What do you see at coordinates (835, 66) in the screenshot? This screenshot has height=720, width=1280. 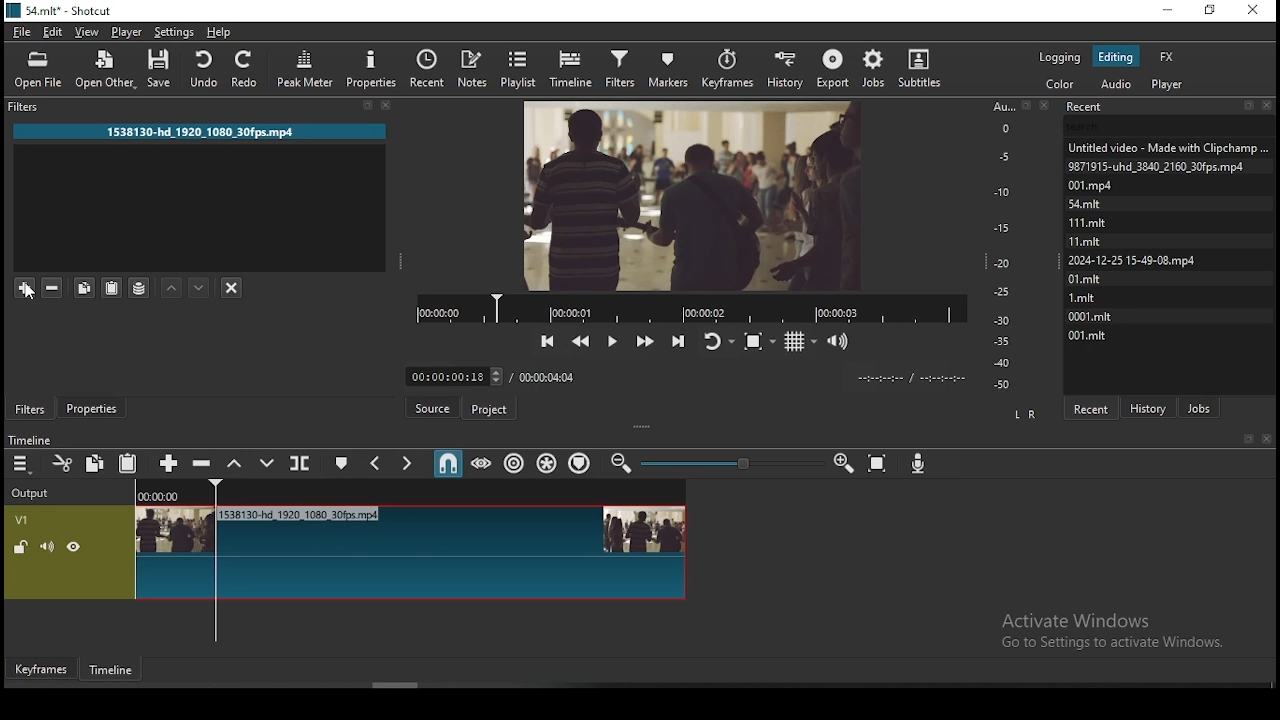 I see `export` at bounding box center [835, 66].